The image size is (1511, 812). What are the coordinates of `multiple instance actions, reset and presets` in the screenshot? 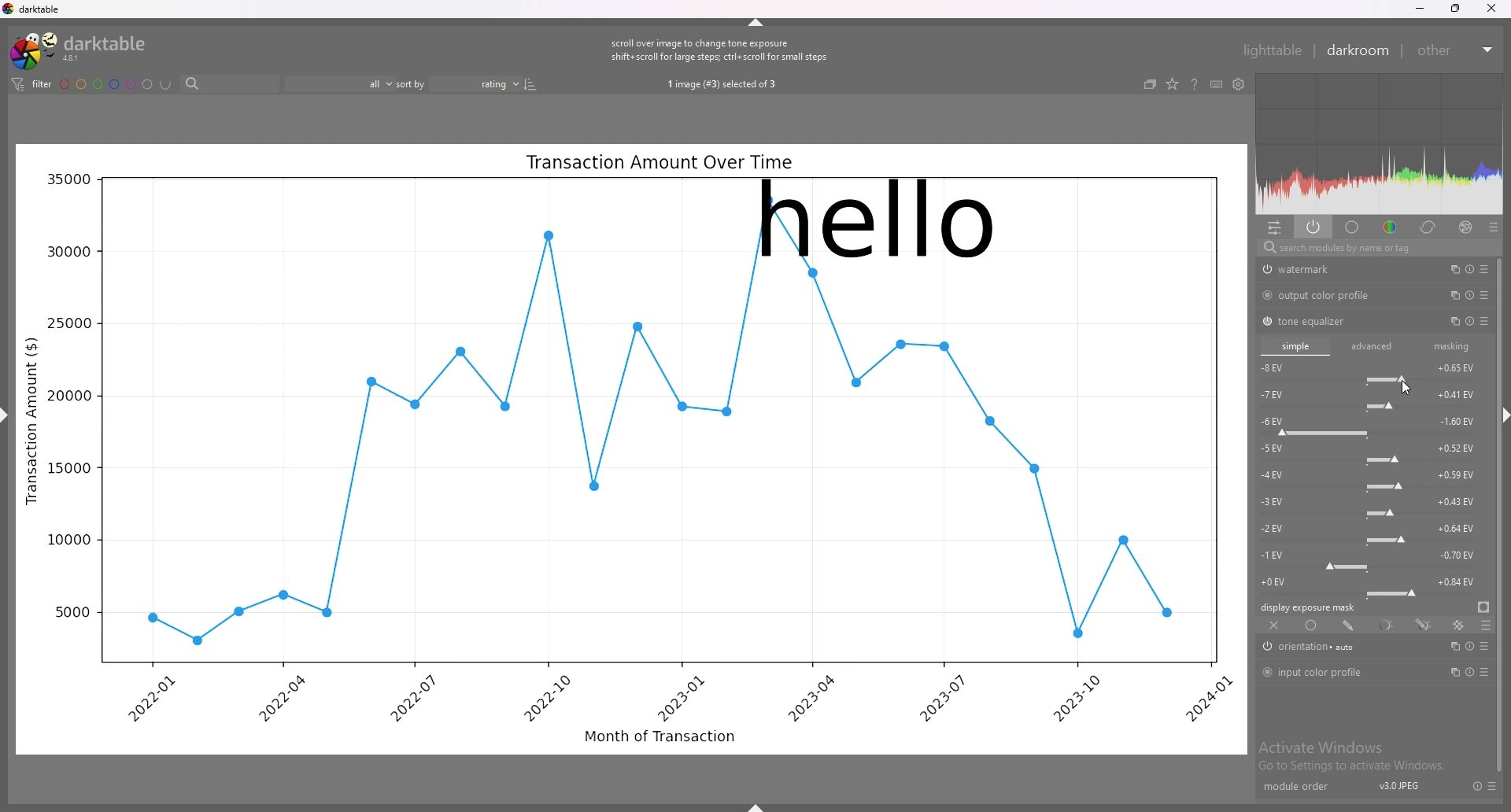 It's located at (1470, 297).